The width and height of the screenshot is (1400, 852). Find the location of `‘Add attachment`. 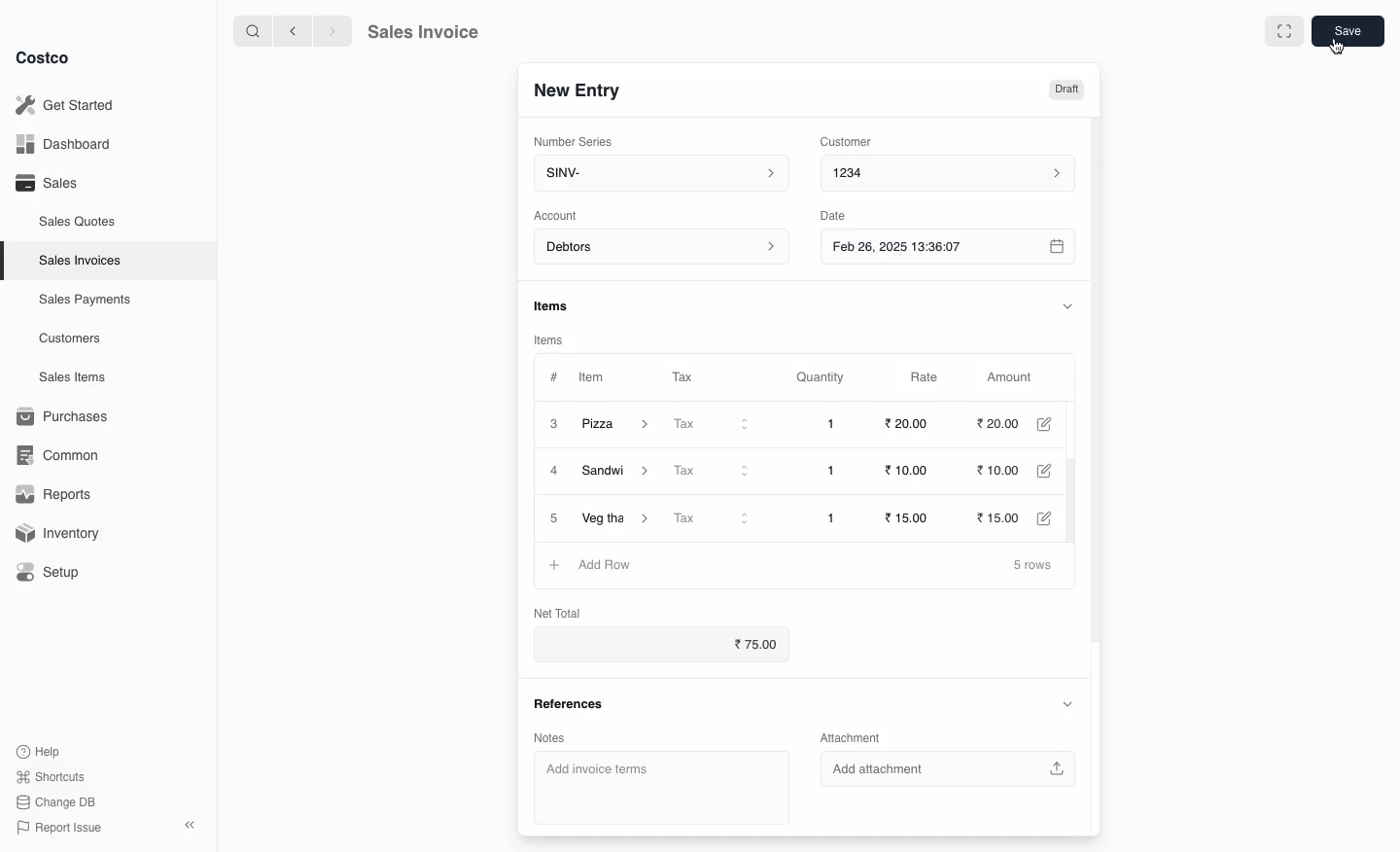

‘Add attachment is located at coordinates (954, 770).